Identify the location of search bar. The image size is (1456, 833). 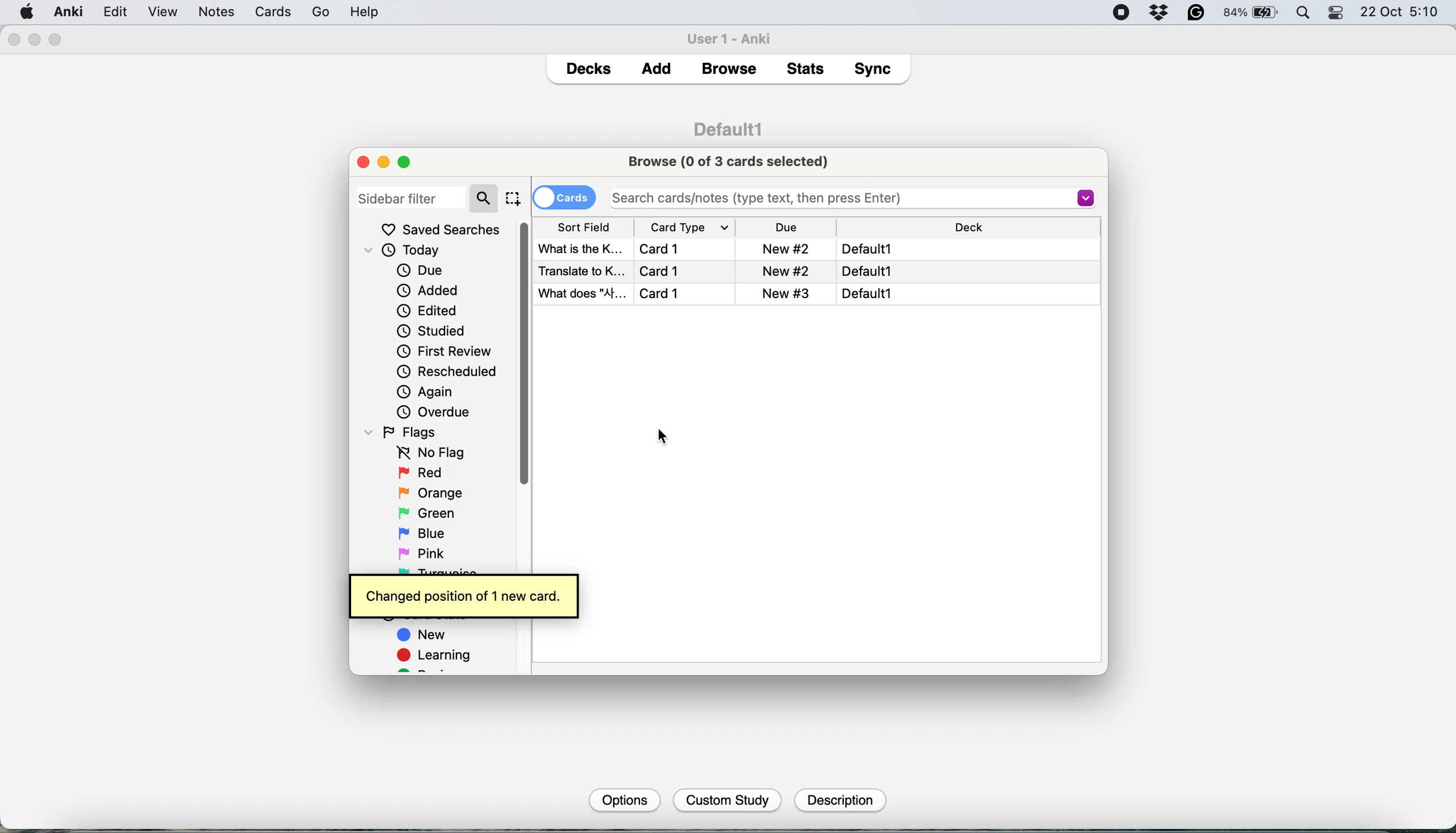
(427, 197).